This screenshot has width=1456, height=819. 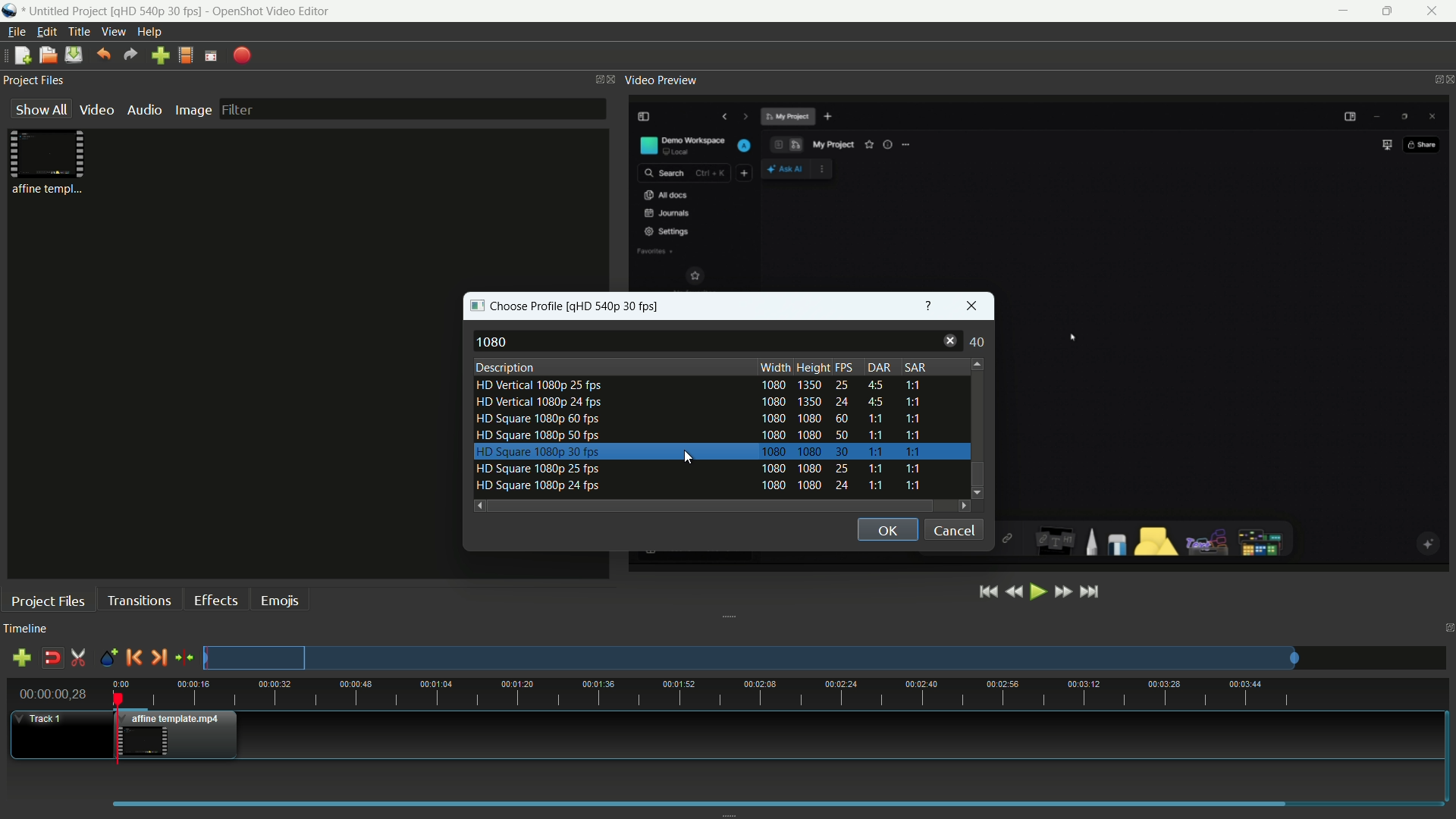 I want to click on 1080, so click(x=495, y=342).